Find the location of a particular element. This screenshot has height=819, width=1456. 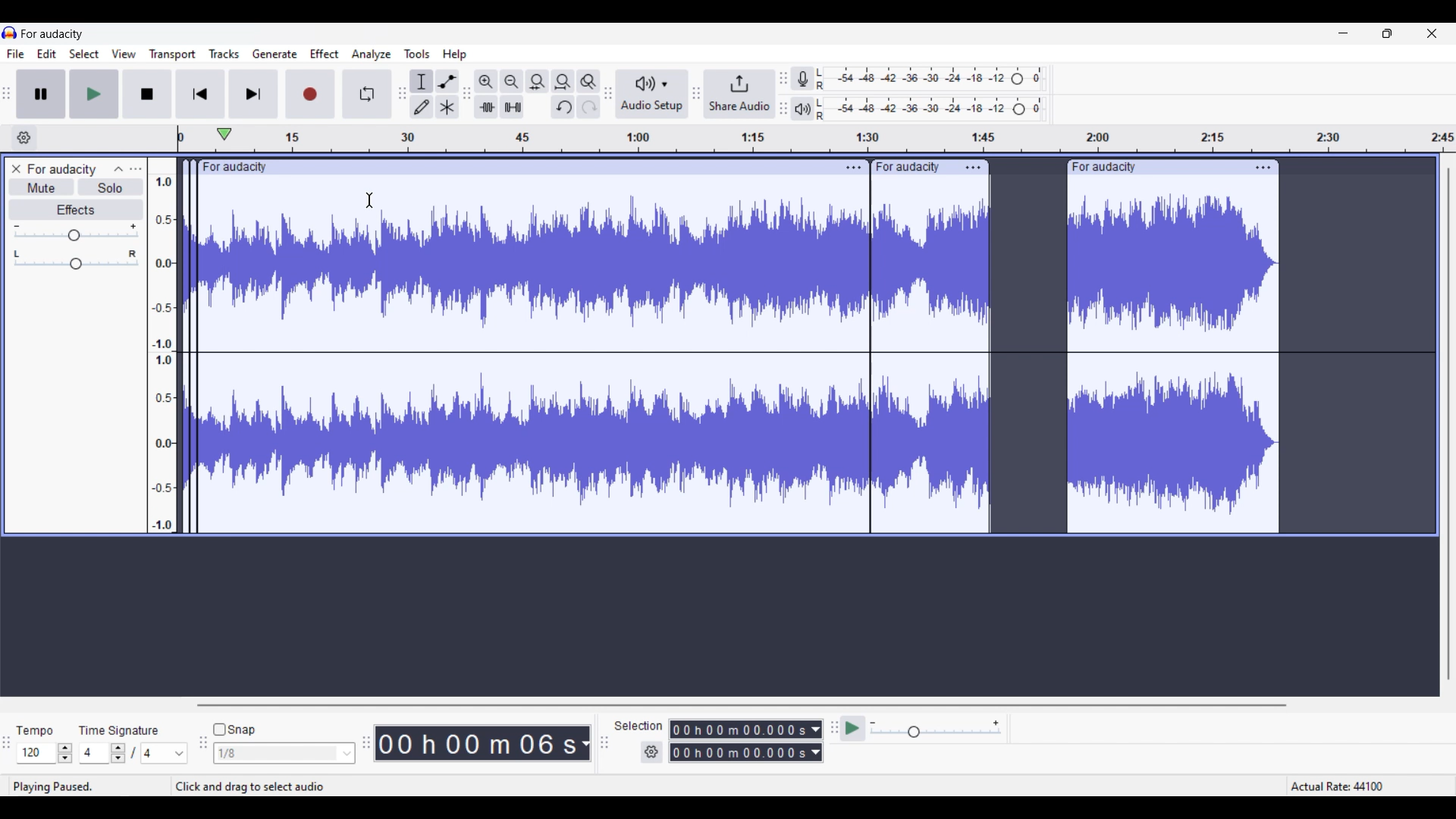

Timeline settings is located at coordinates (24, 138).